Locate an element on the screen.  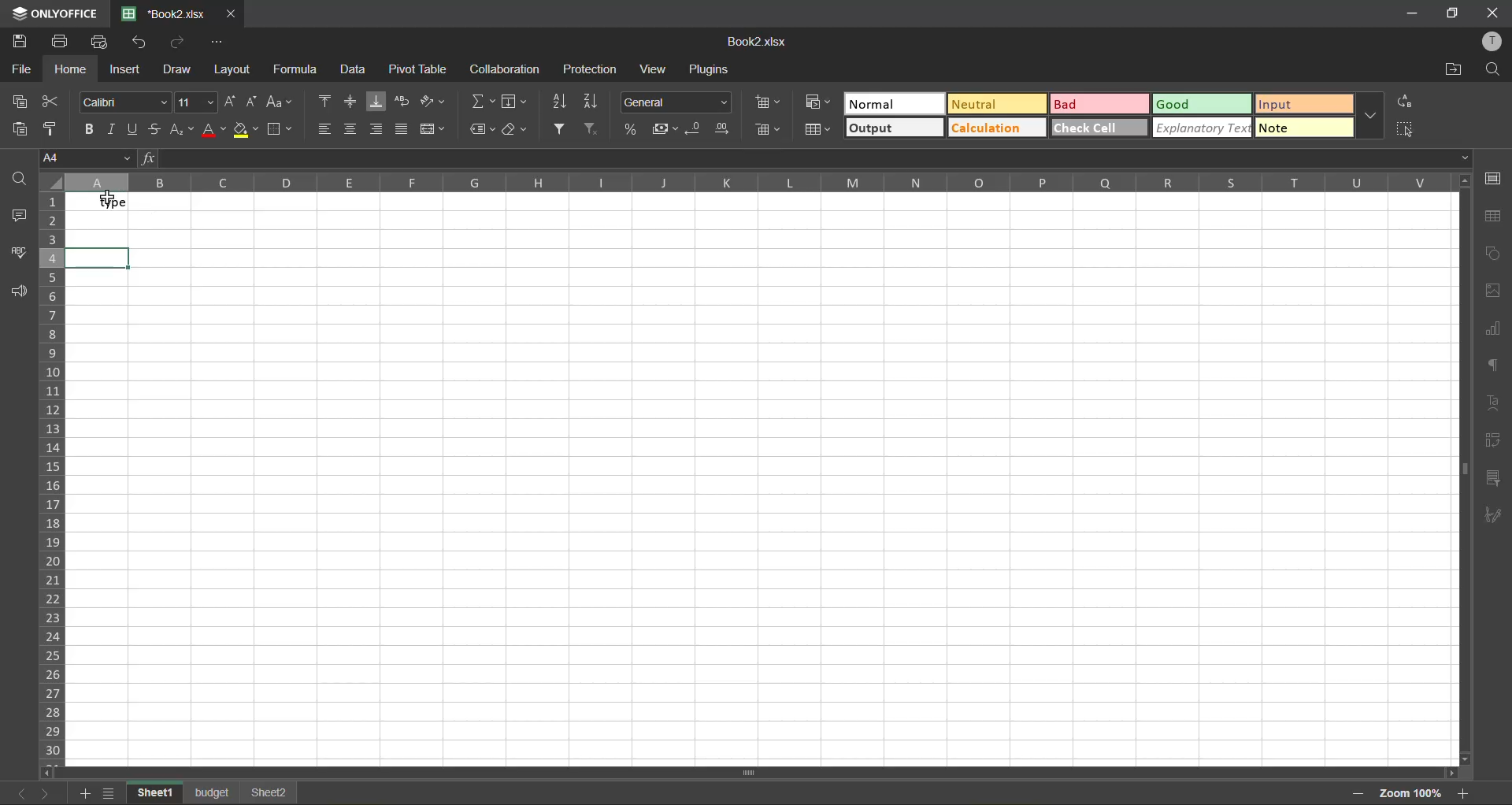
insert is located at coordinates (128, 71).